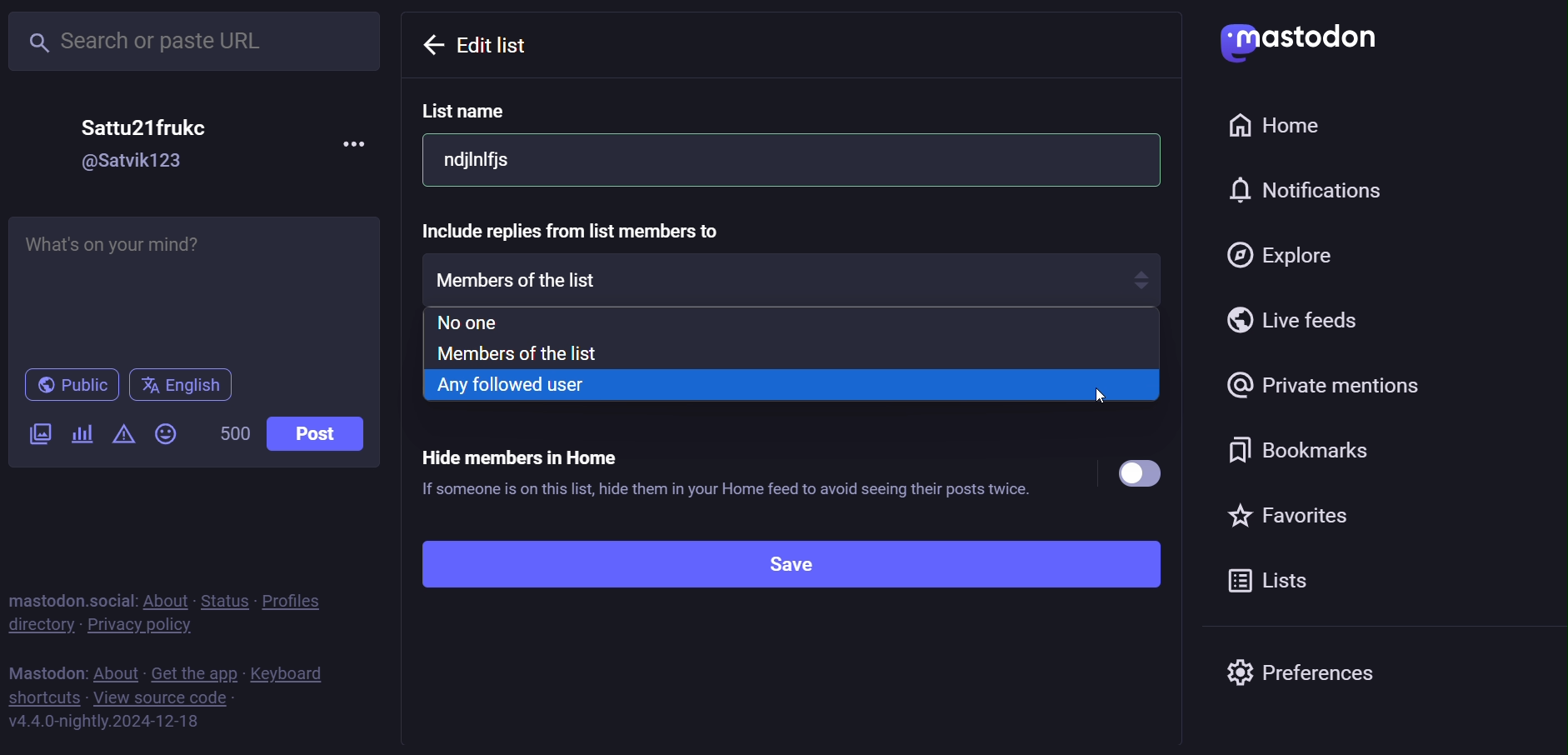  Describe the element at coordinates (351, 144) in the screenshot. I see `more` at that location.